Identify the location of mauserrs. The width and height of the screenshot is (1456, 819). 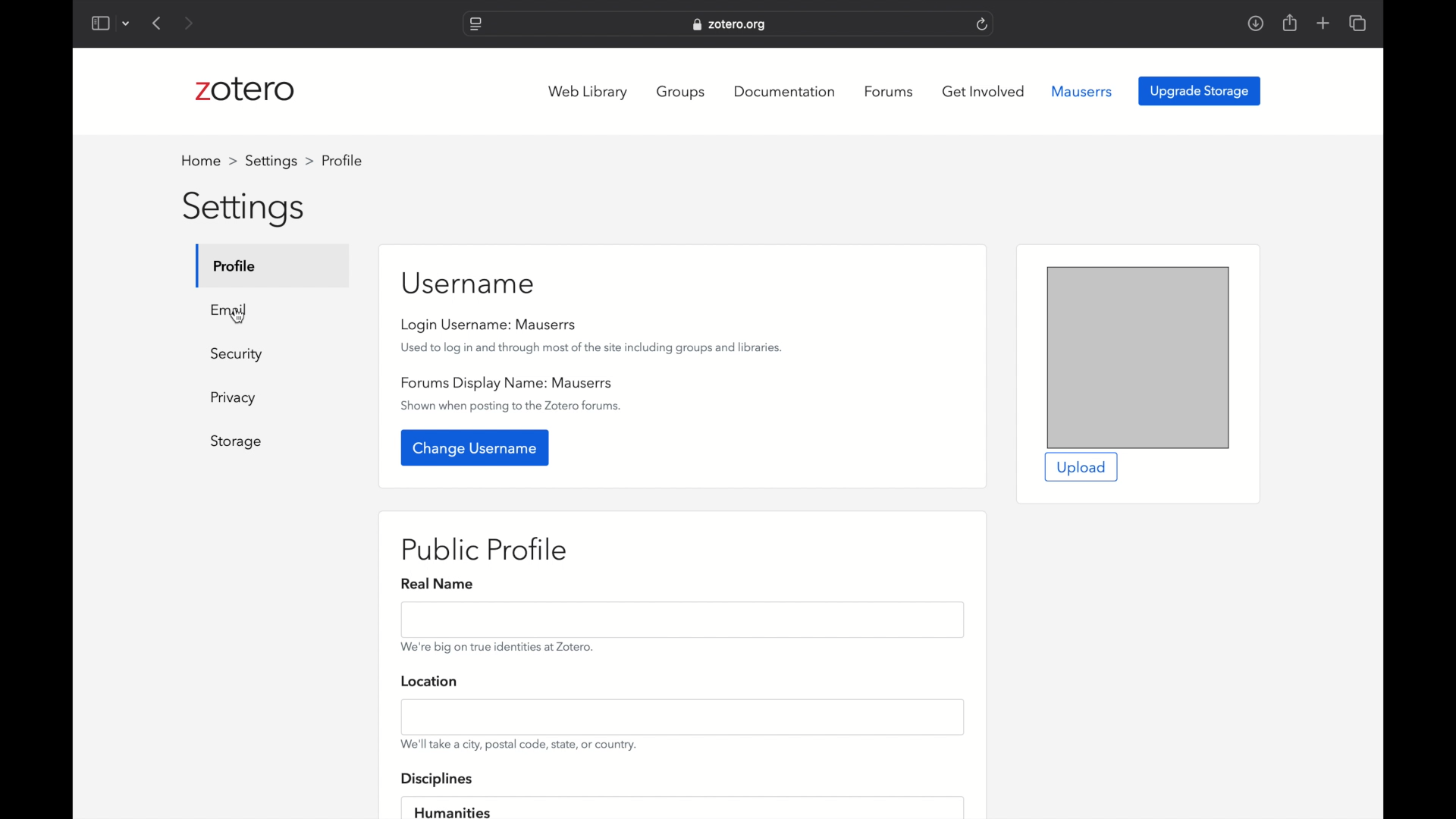
(1082, 91).